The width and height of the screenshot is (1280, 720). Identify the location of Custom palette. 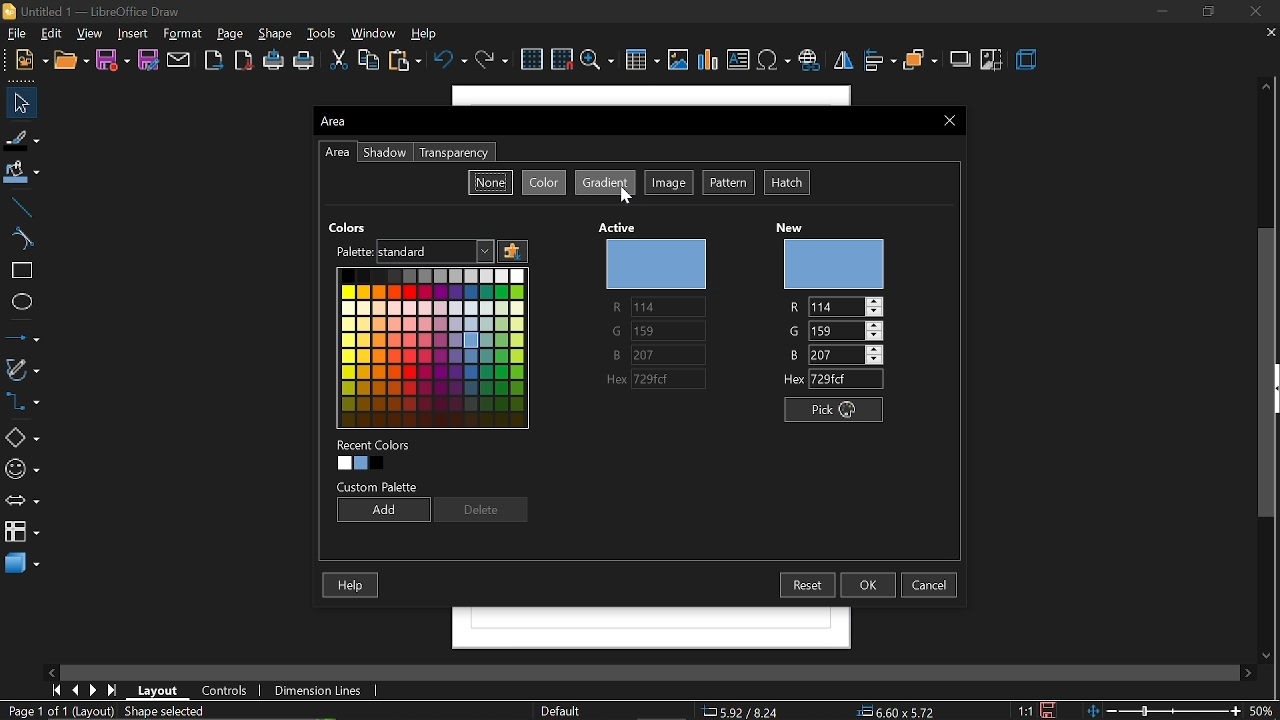
(377, 487).